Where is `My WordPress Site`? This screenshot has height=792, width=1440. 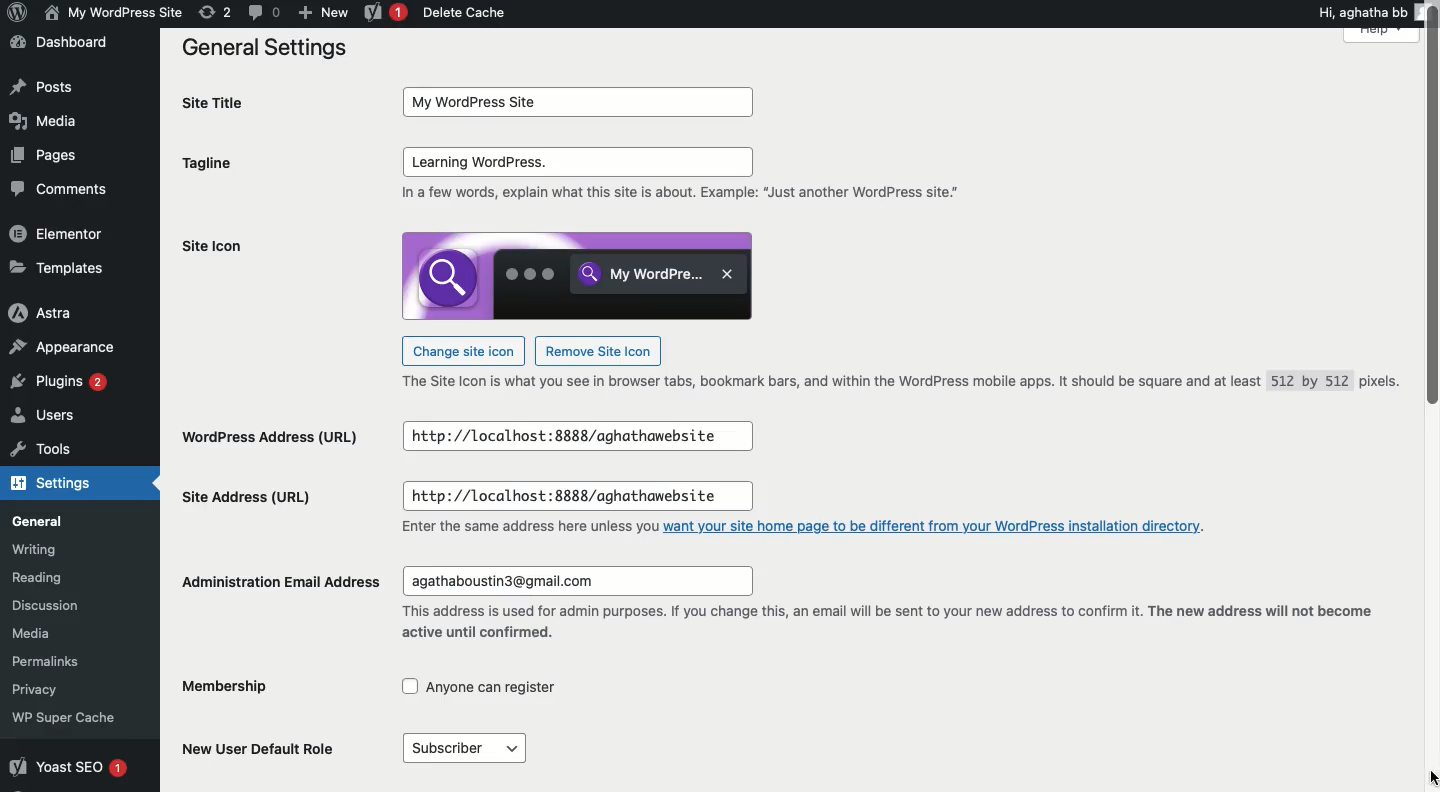
My WordPress Site is located at coordinates (574, 102).